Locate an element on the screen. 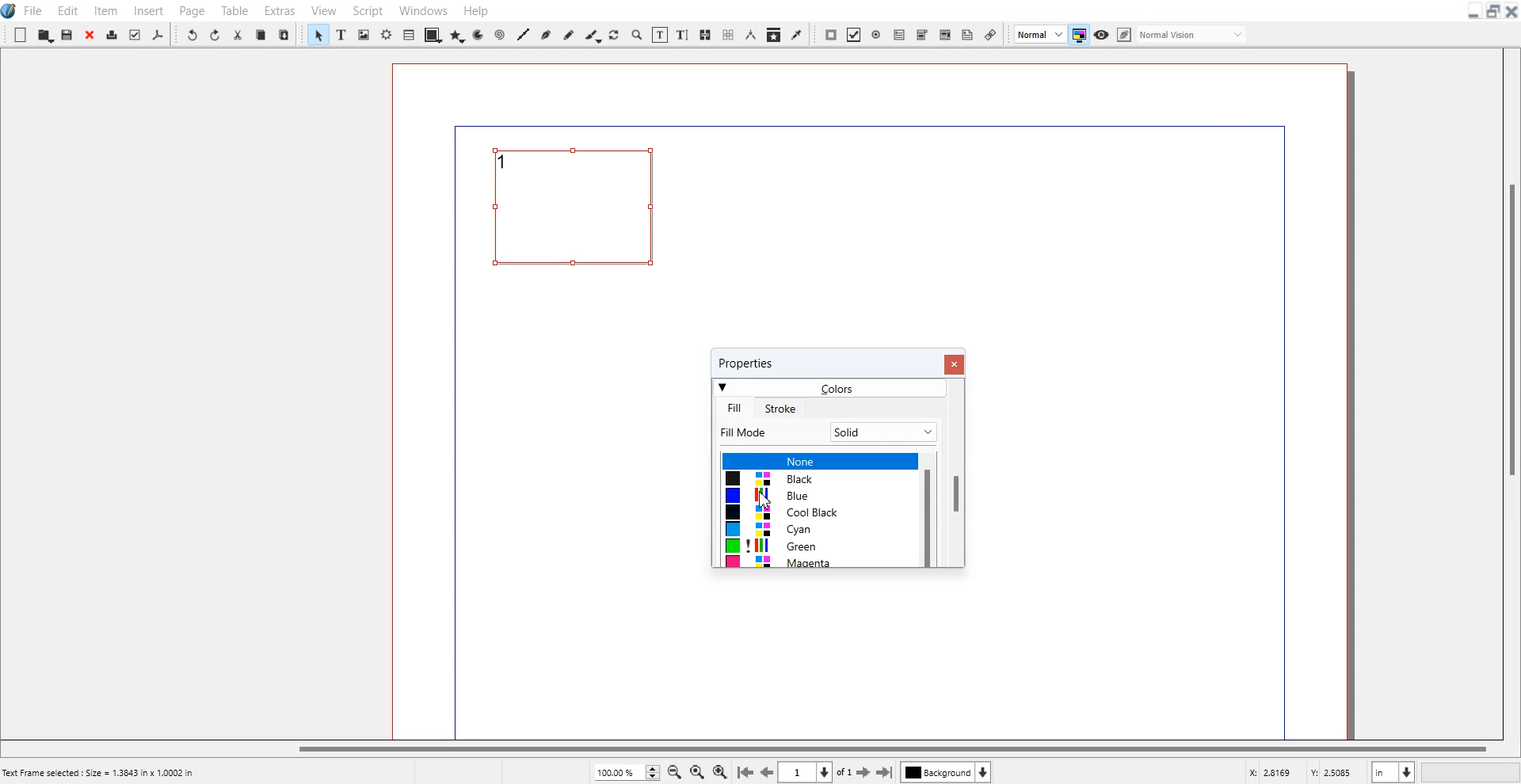 Image resolution: width=1521 pixels, height=784 pixels. Unlink Text Frame is located at coordinates (726, 35).